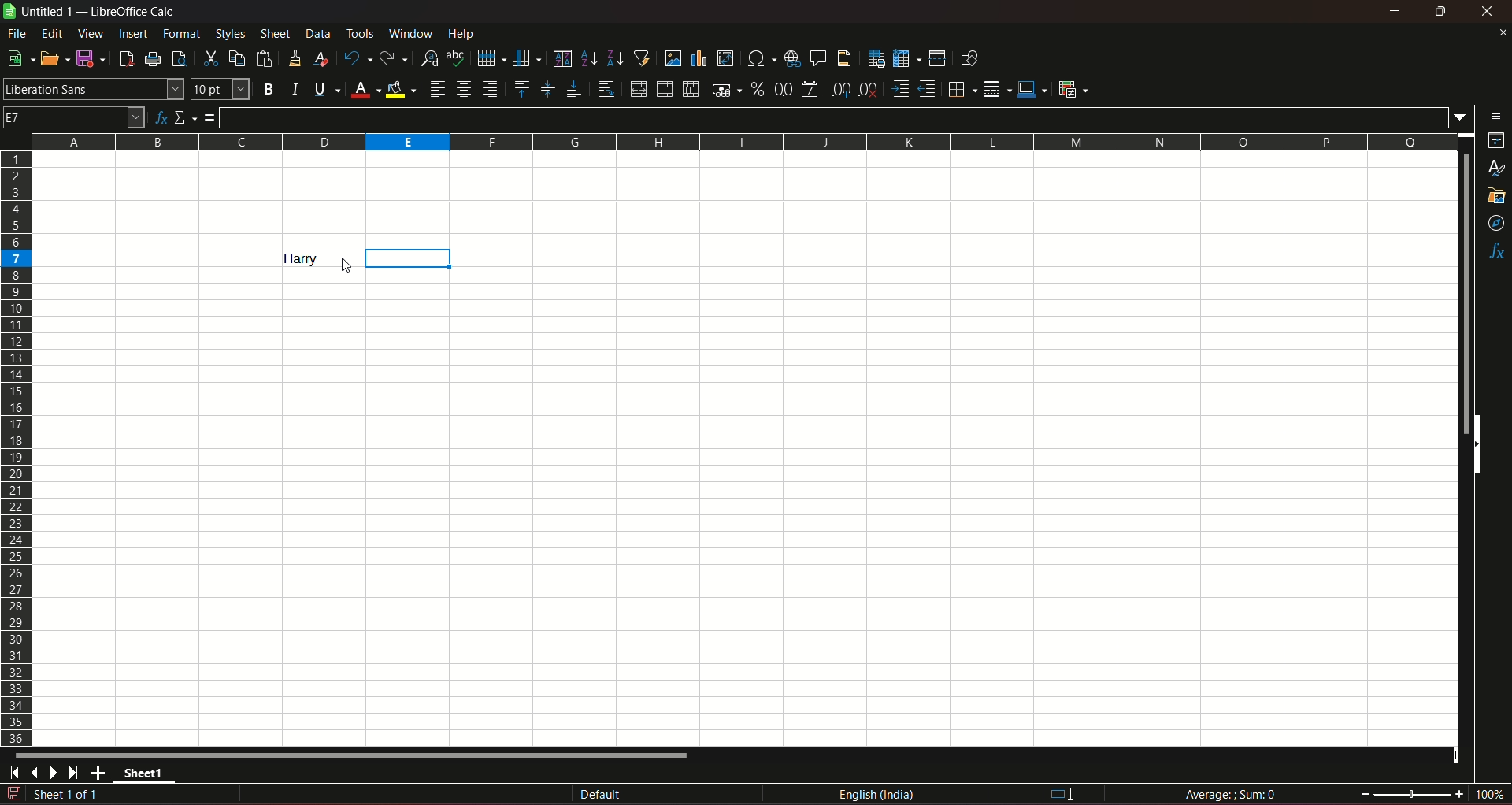  I want to click on font color, so click(365, 91).